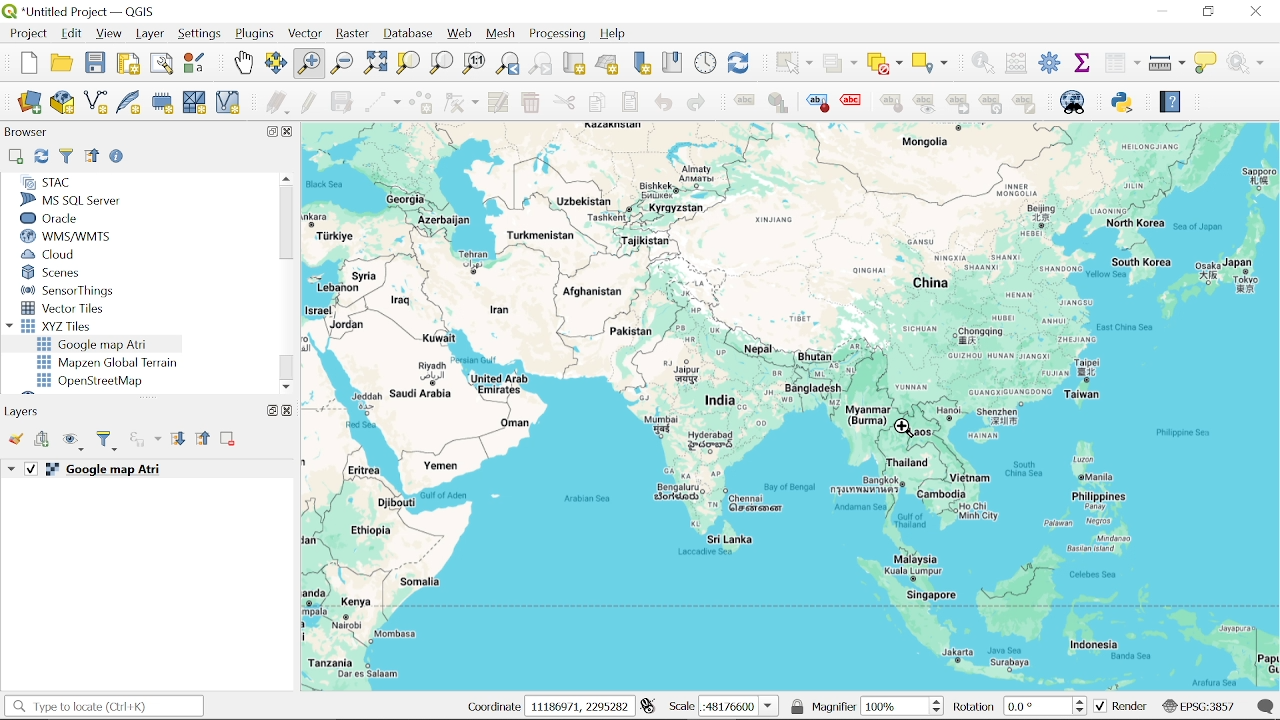 This screenshot has width=1280, height=720. I want to click on Collapse all, so click(204, 440).